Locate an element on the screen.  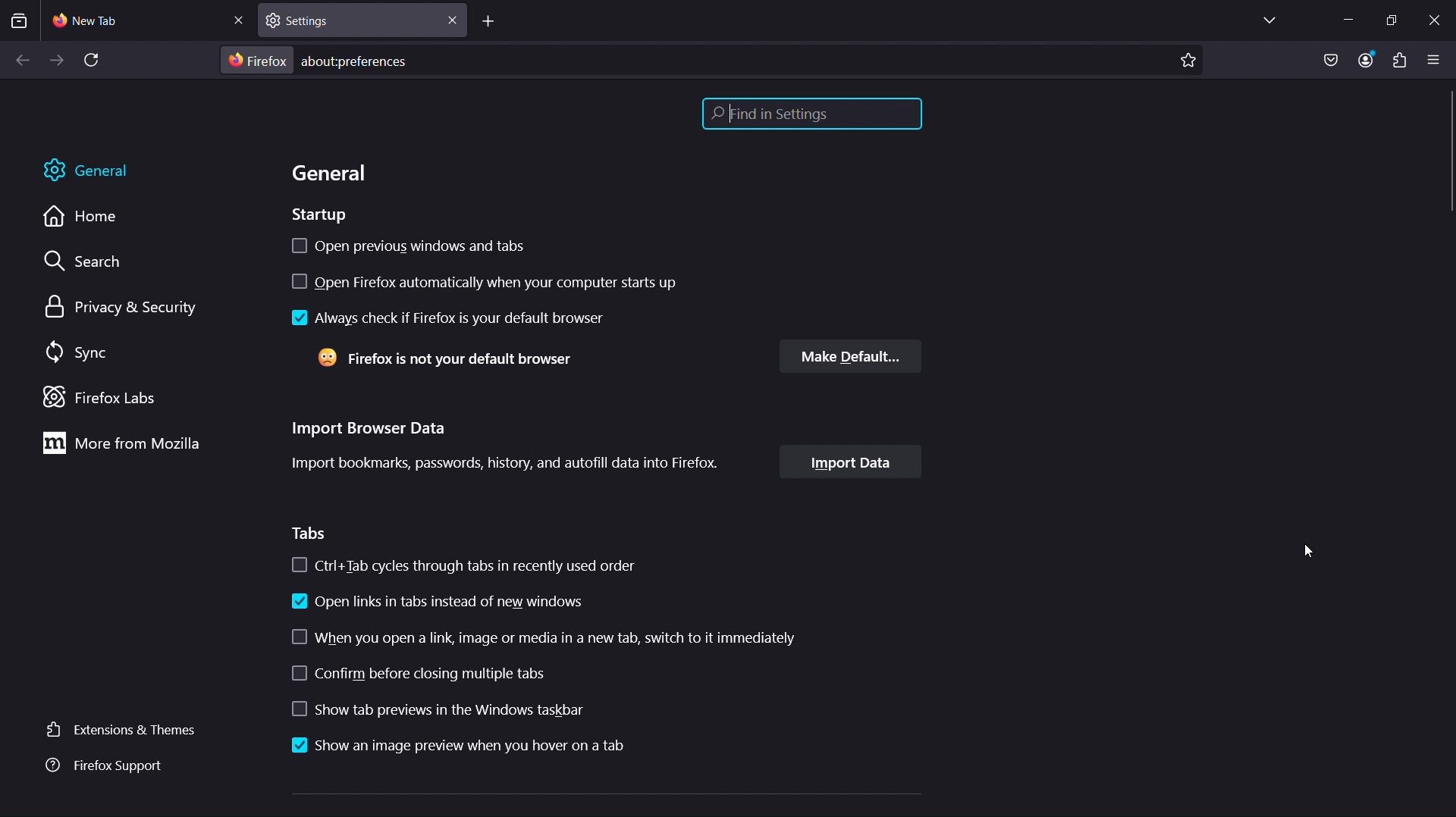
New Tab is located at coordinates (149, 22).